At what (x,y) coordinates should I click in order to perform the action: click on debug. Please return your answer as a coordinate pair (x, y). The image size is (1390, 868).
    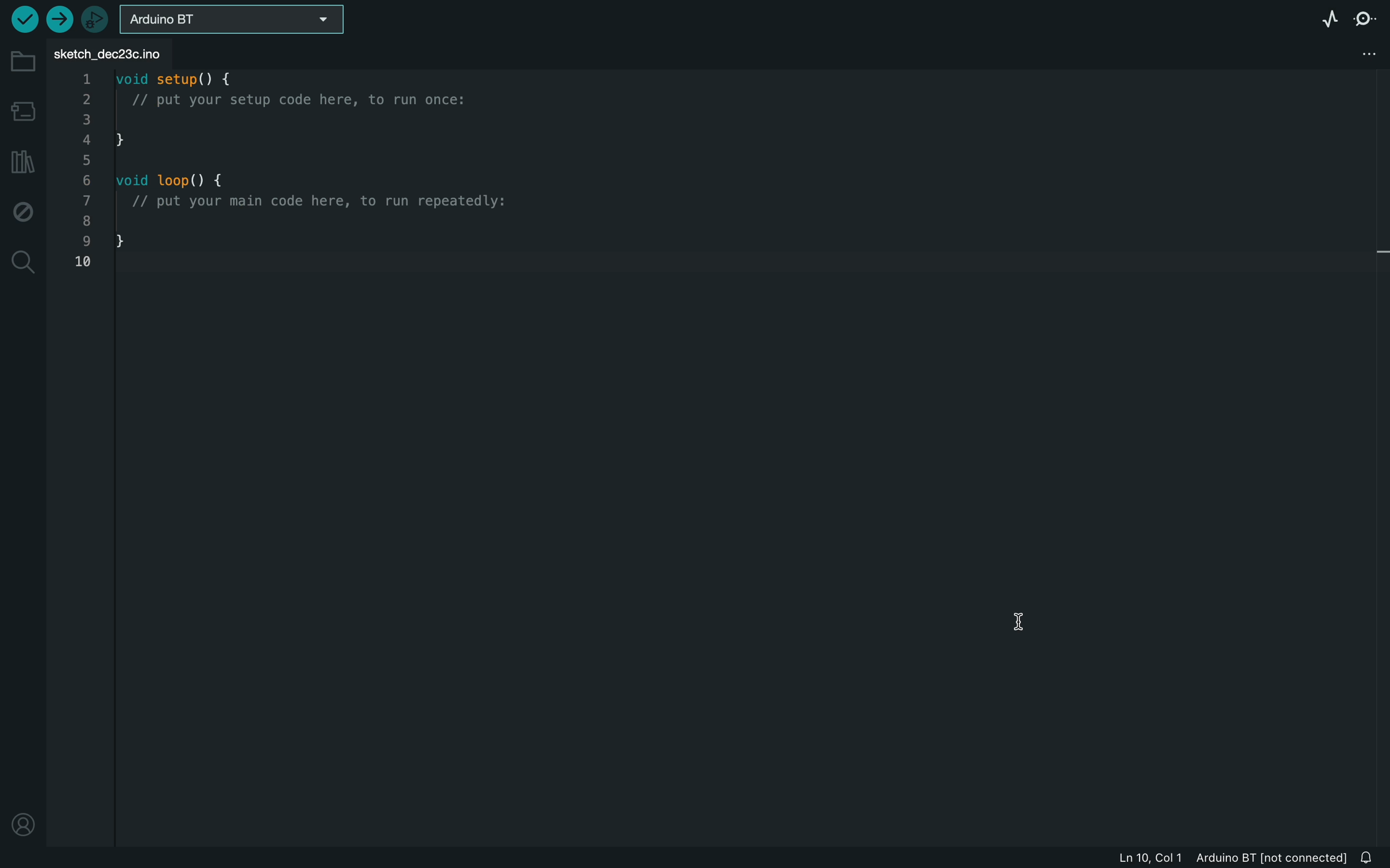
    Looking at the image, I should click on (25, 210).